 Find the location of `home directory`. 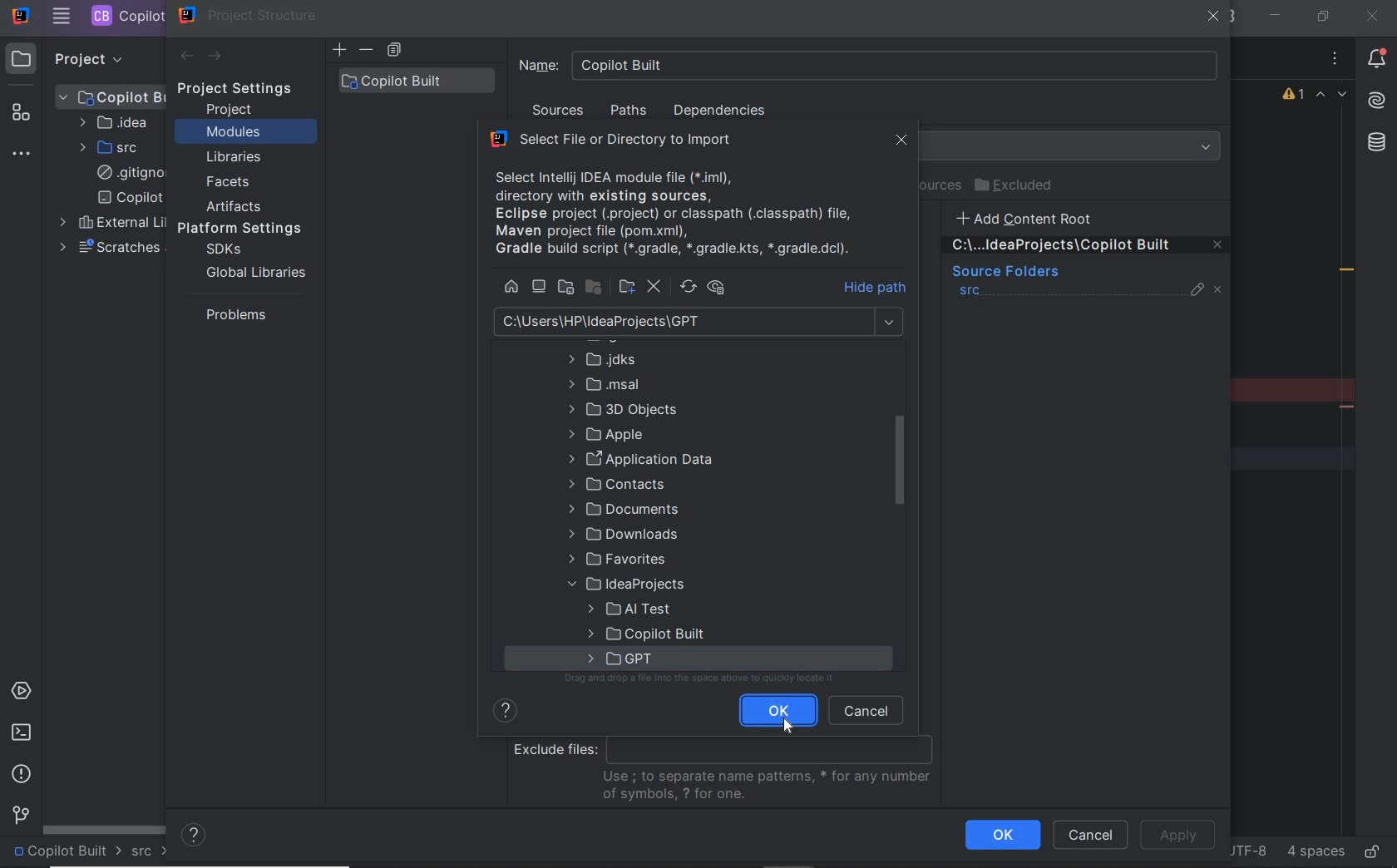

home directory is located at coordinates (511, 287).